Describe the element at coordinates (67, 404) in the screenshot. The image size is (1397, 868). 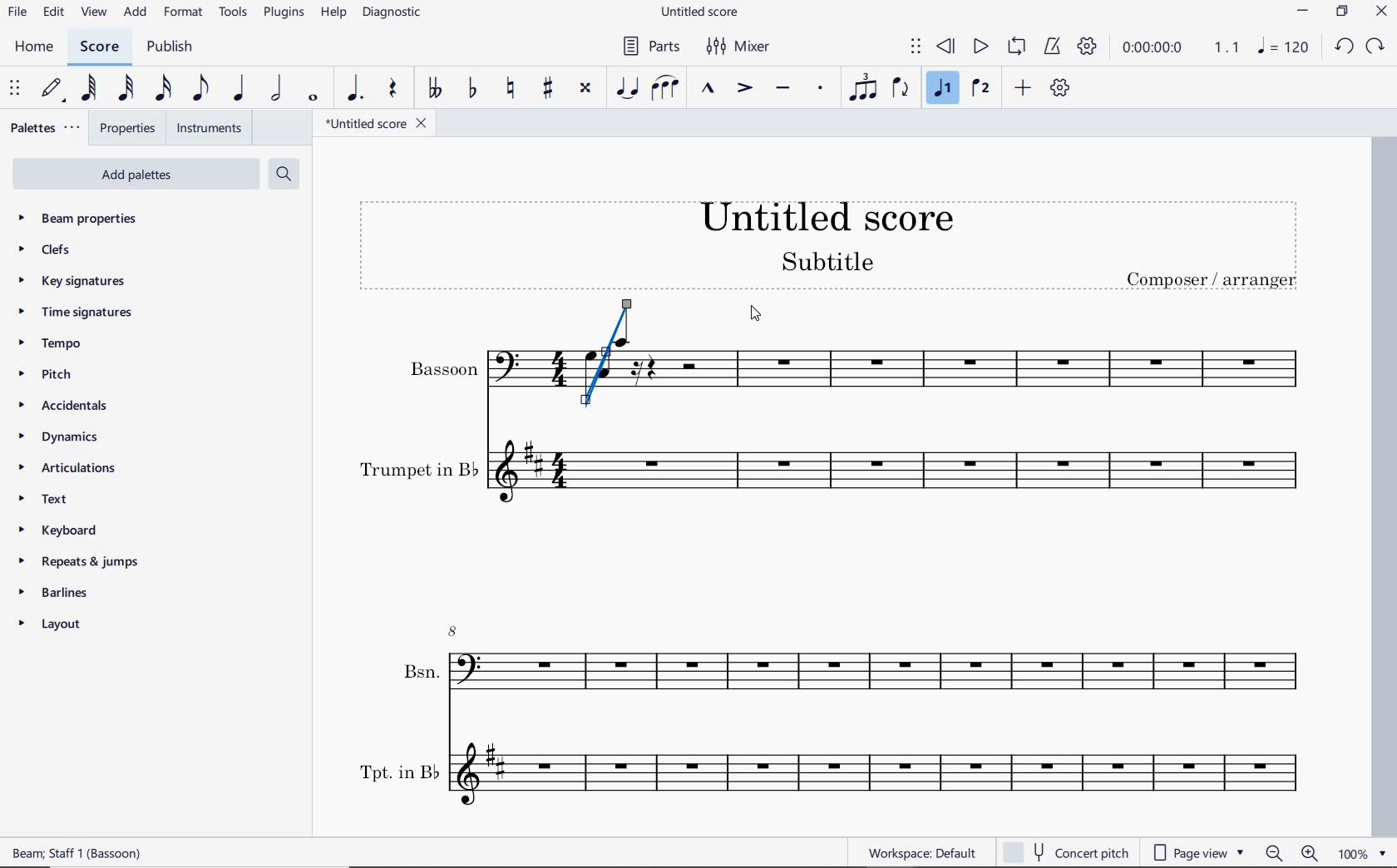
I see `accidentals` at that location.